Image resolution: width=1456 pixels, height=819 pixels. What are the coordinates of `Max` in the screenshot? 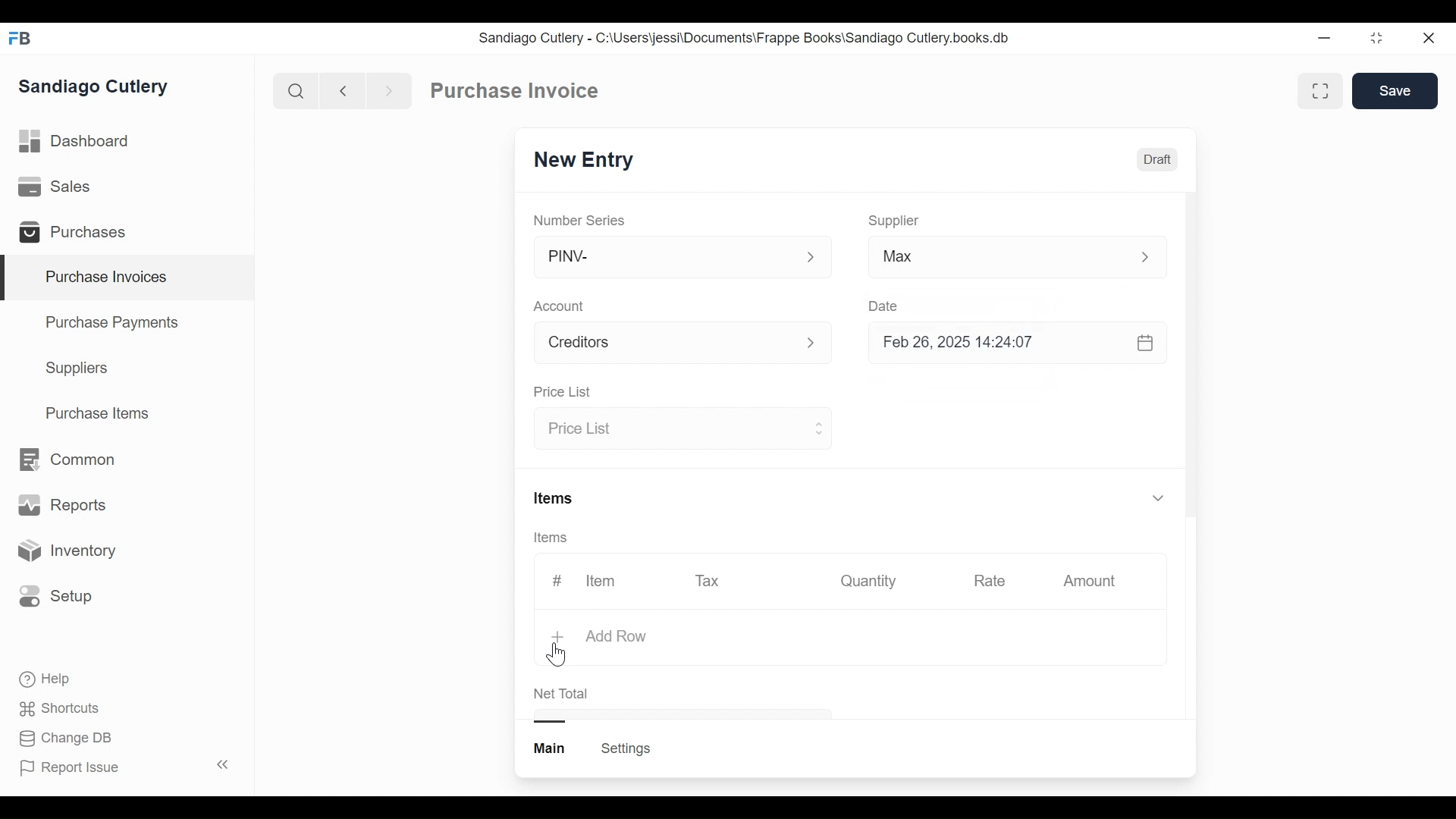 It's located at (987, 259).